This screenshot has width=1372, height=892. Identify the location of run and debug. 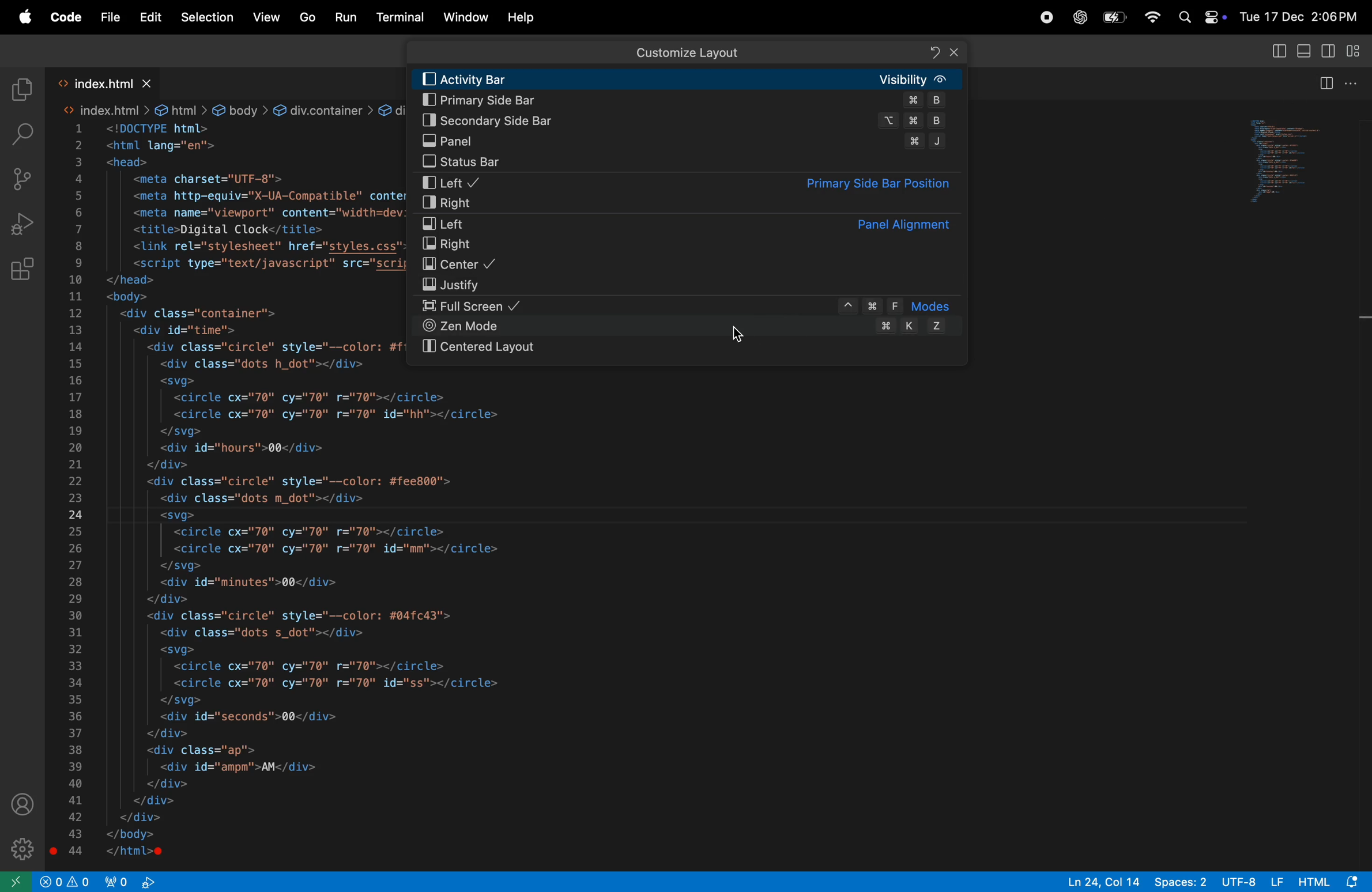
(21, 222).